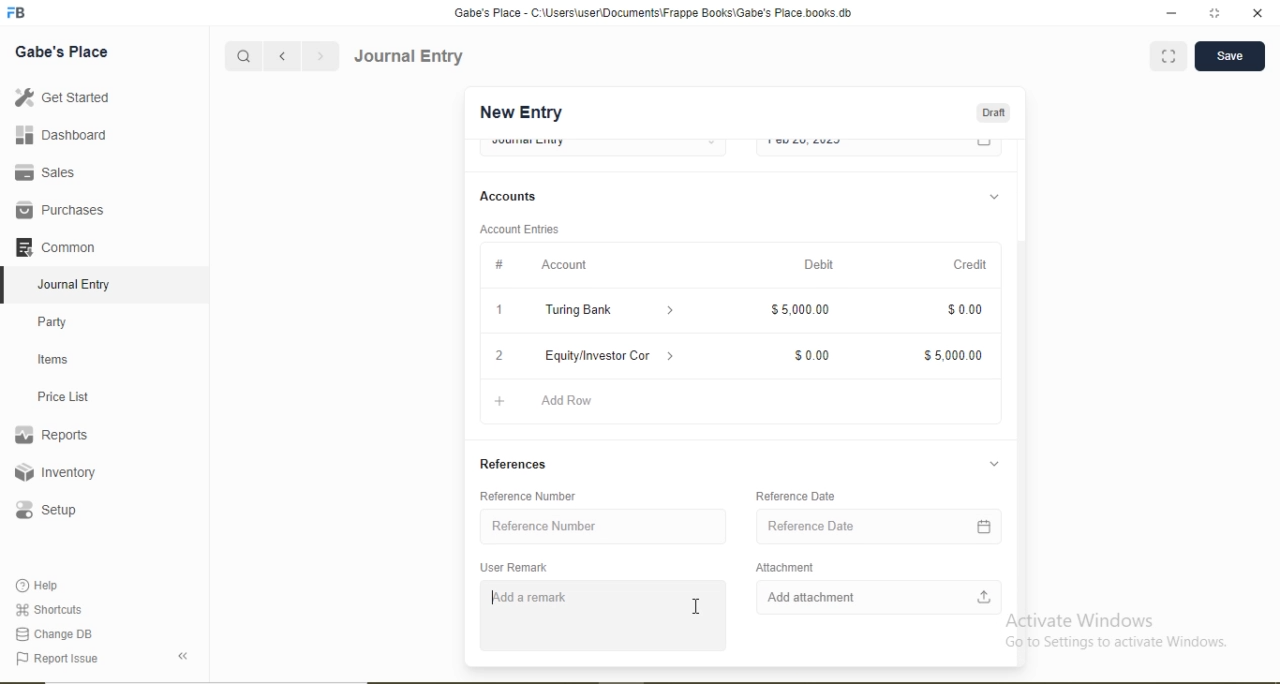 The image size is (1280, 684). Describe the element at coordinates (17, 13) in the screenshot. I see `Logo` at that location.